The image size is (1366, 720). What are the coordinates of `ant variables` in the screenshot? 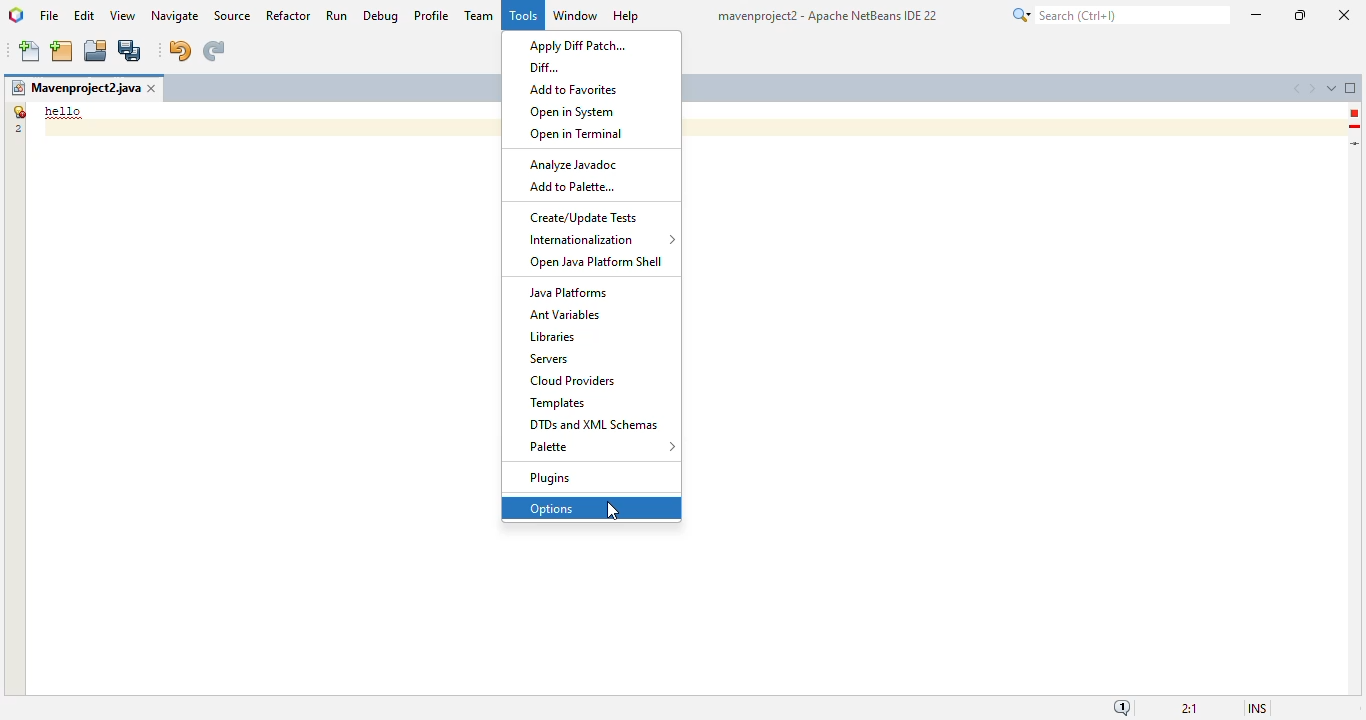 It's located at (567, 315).